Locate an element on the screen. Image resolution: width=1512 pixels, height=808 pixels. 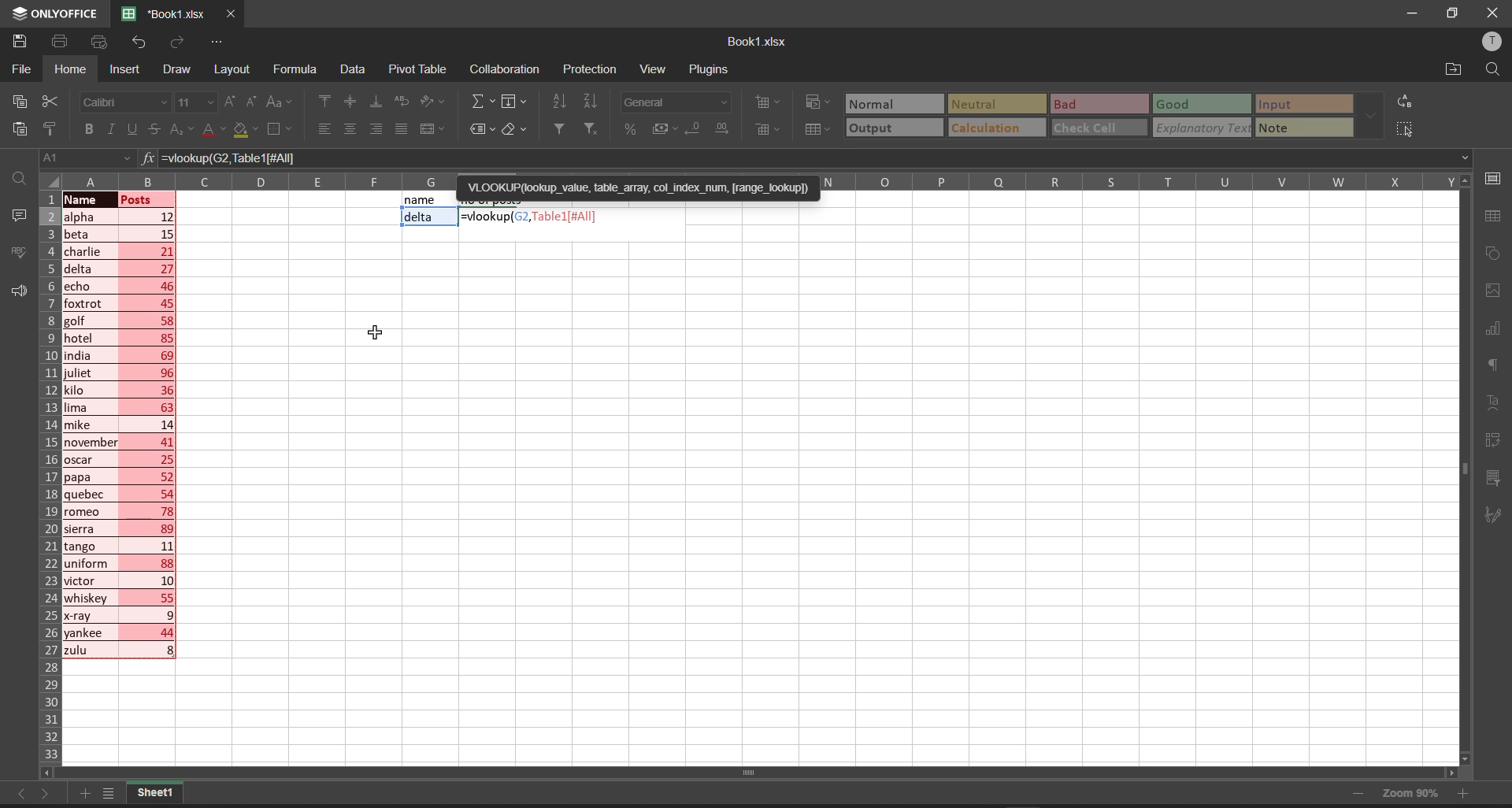
calculation is located at coordinates (993, 128).